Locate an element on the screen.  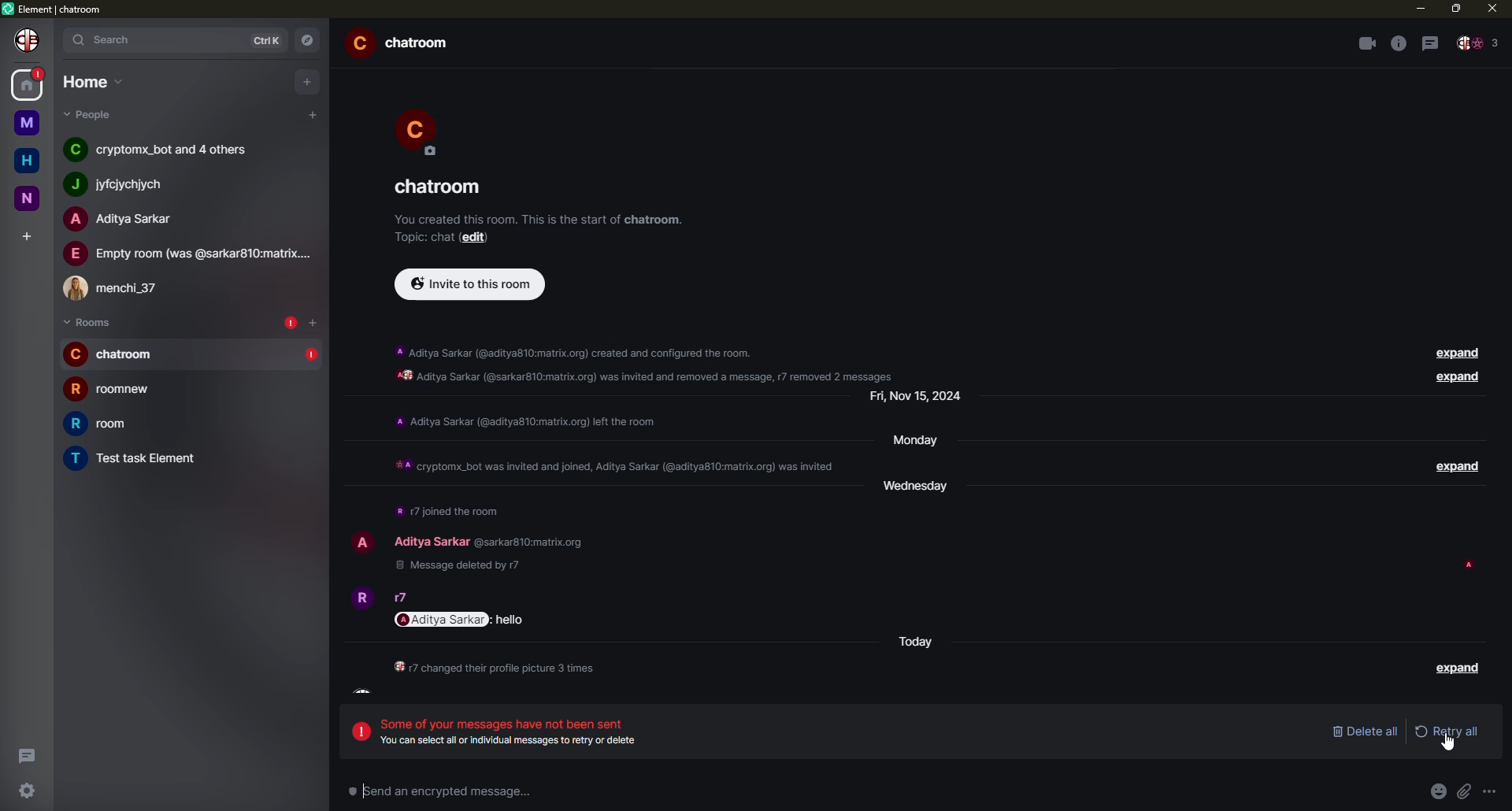
min is located at coordinates (1418, 9).